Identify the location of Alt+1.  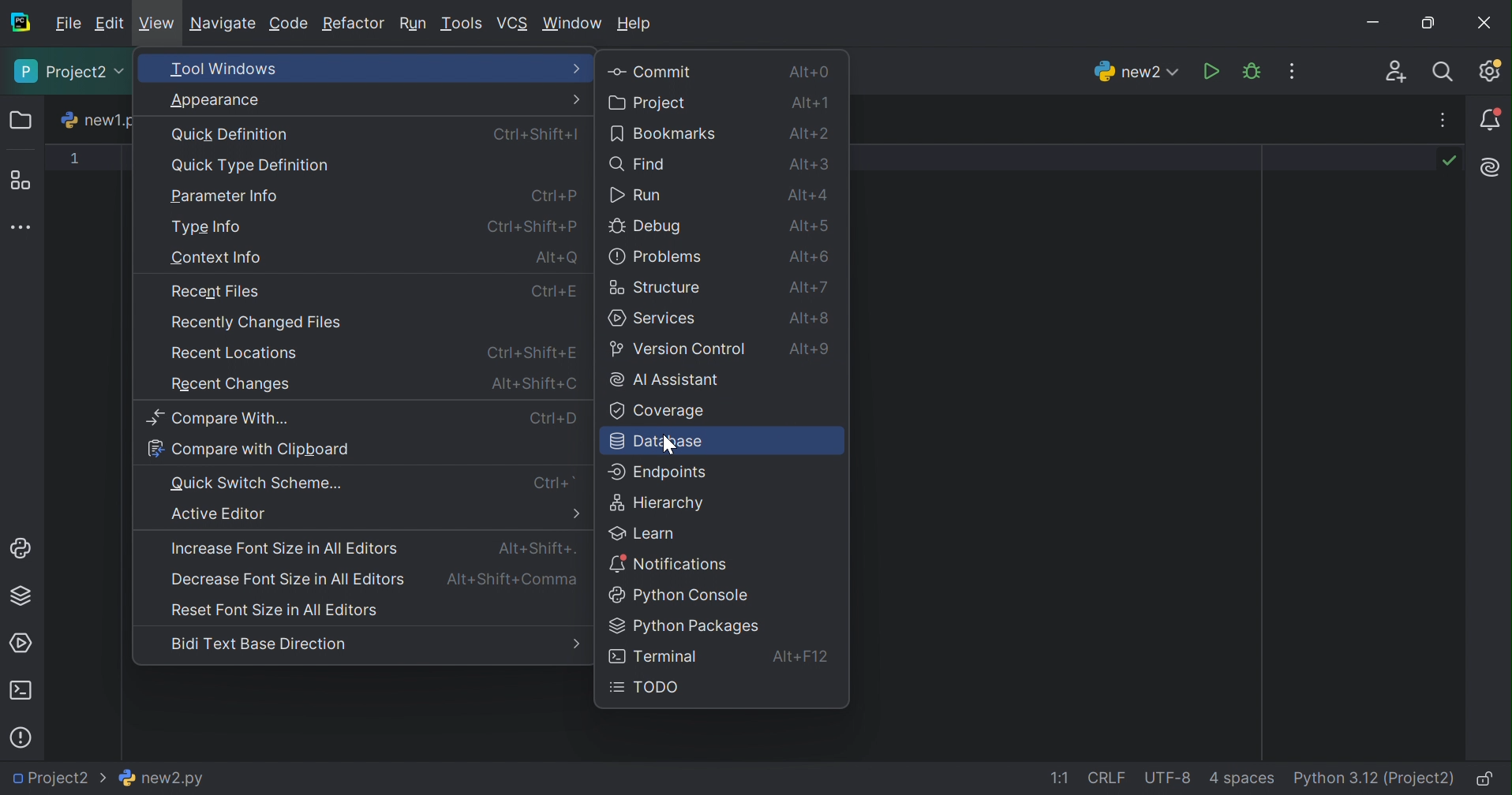
(807, 103).